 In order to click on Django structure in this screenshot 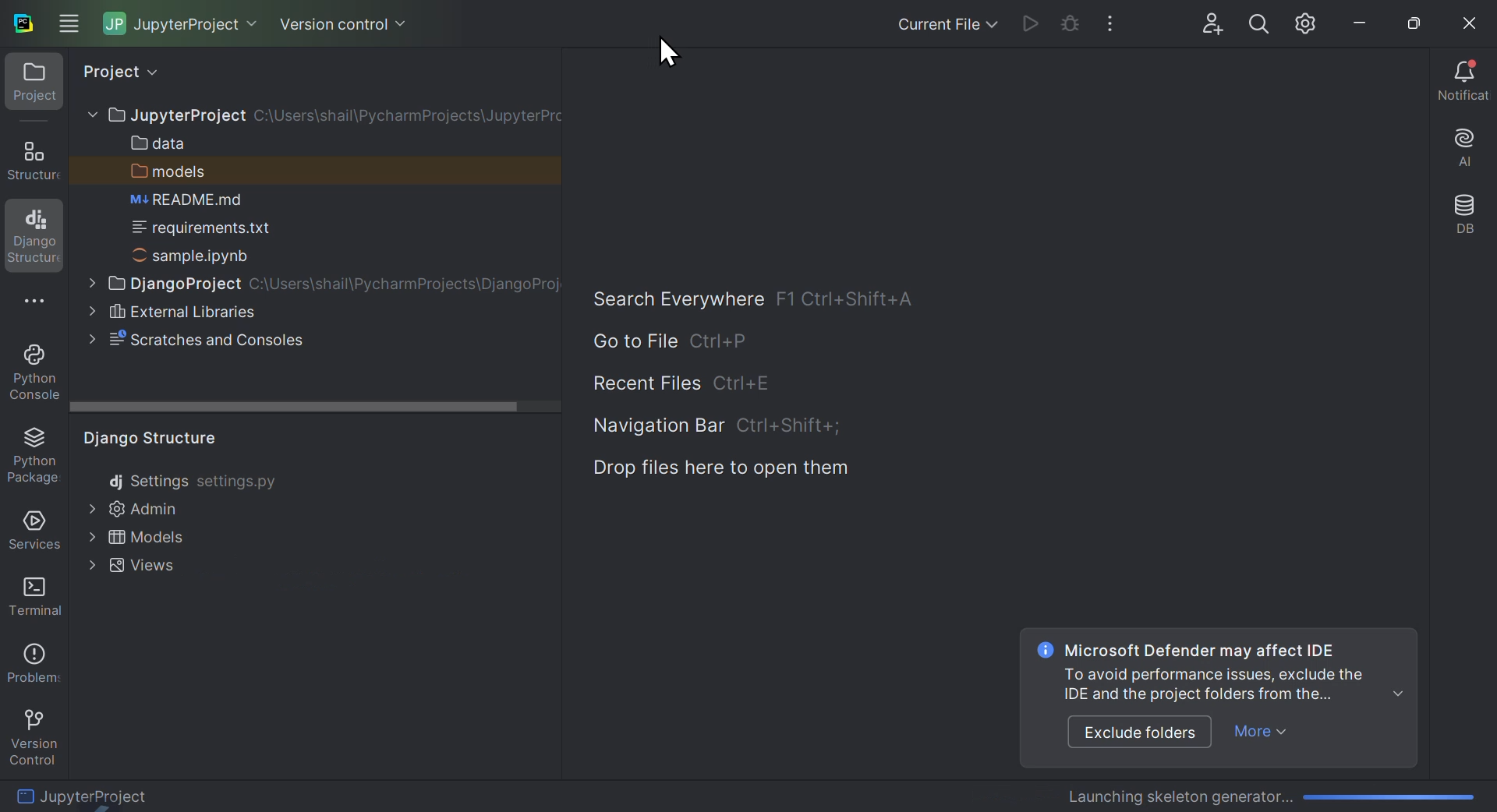, I will do `click(146, 440)`.